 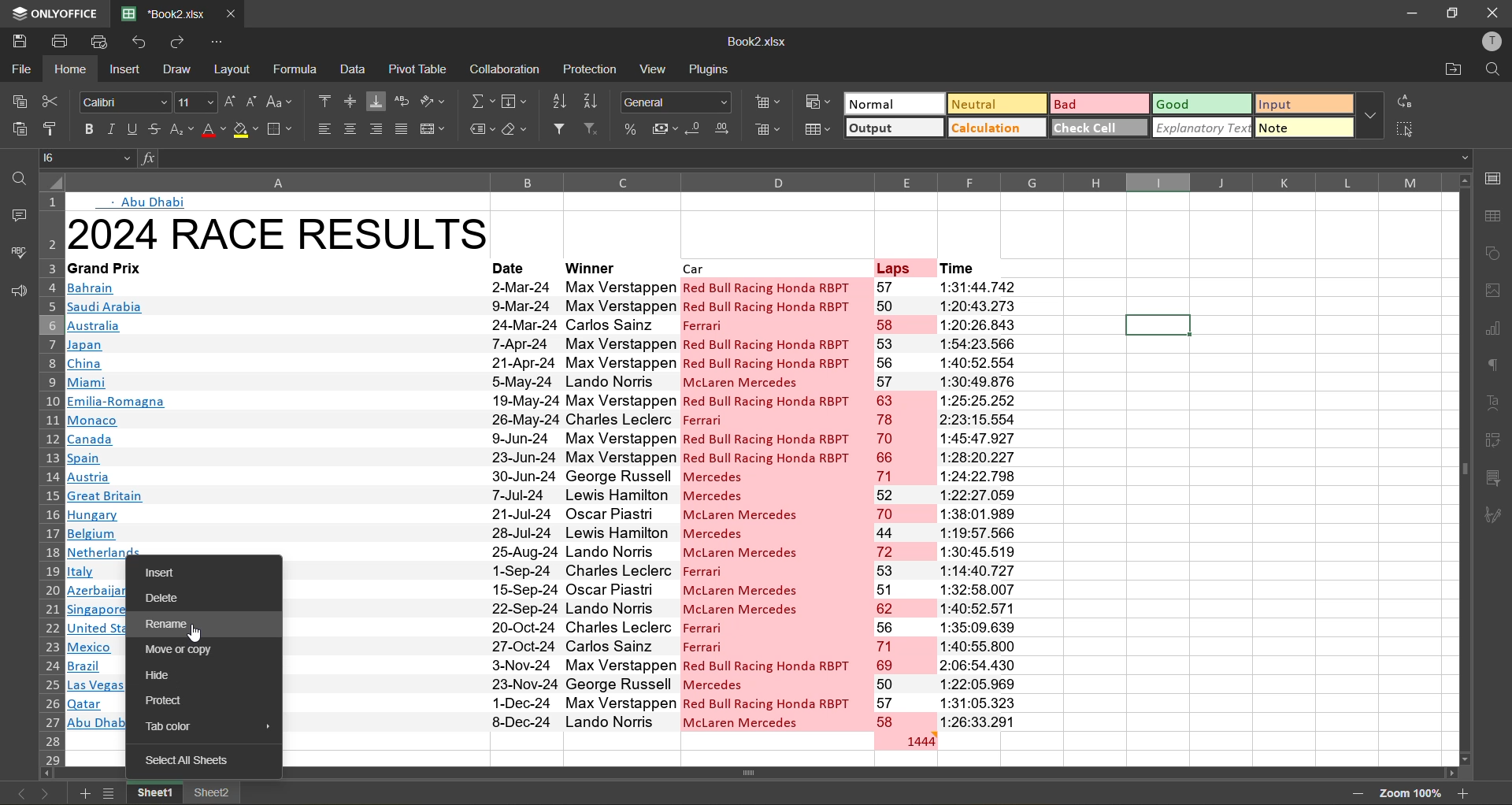 I want to click on copy, so click(x=23, y=102).